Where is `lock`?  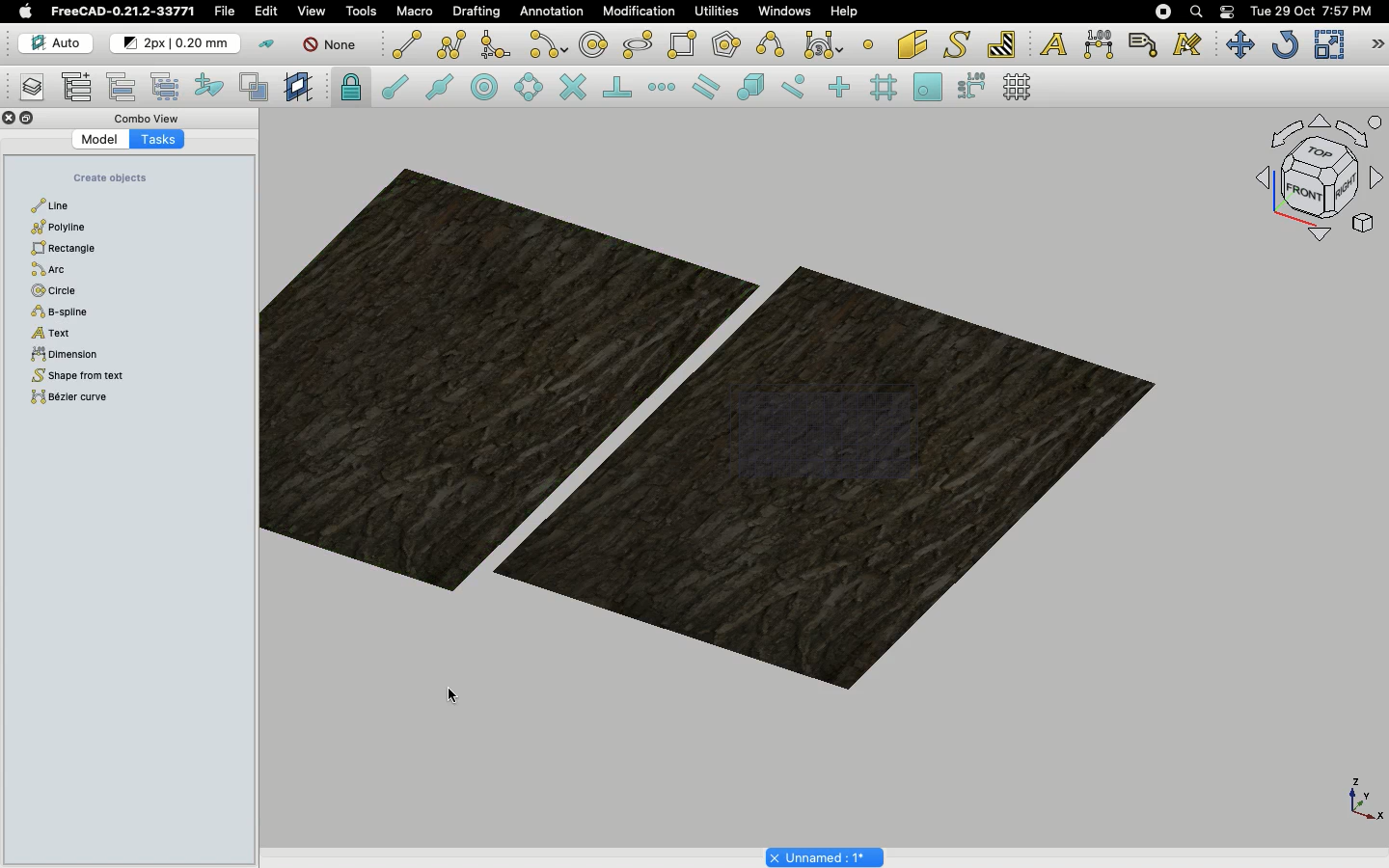 lock is located at coordinates (352, 90).